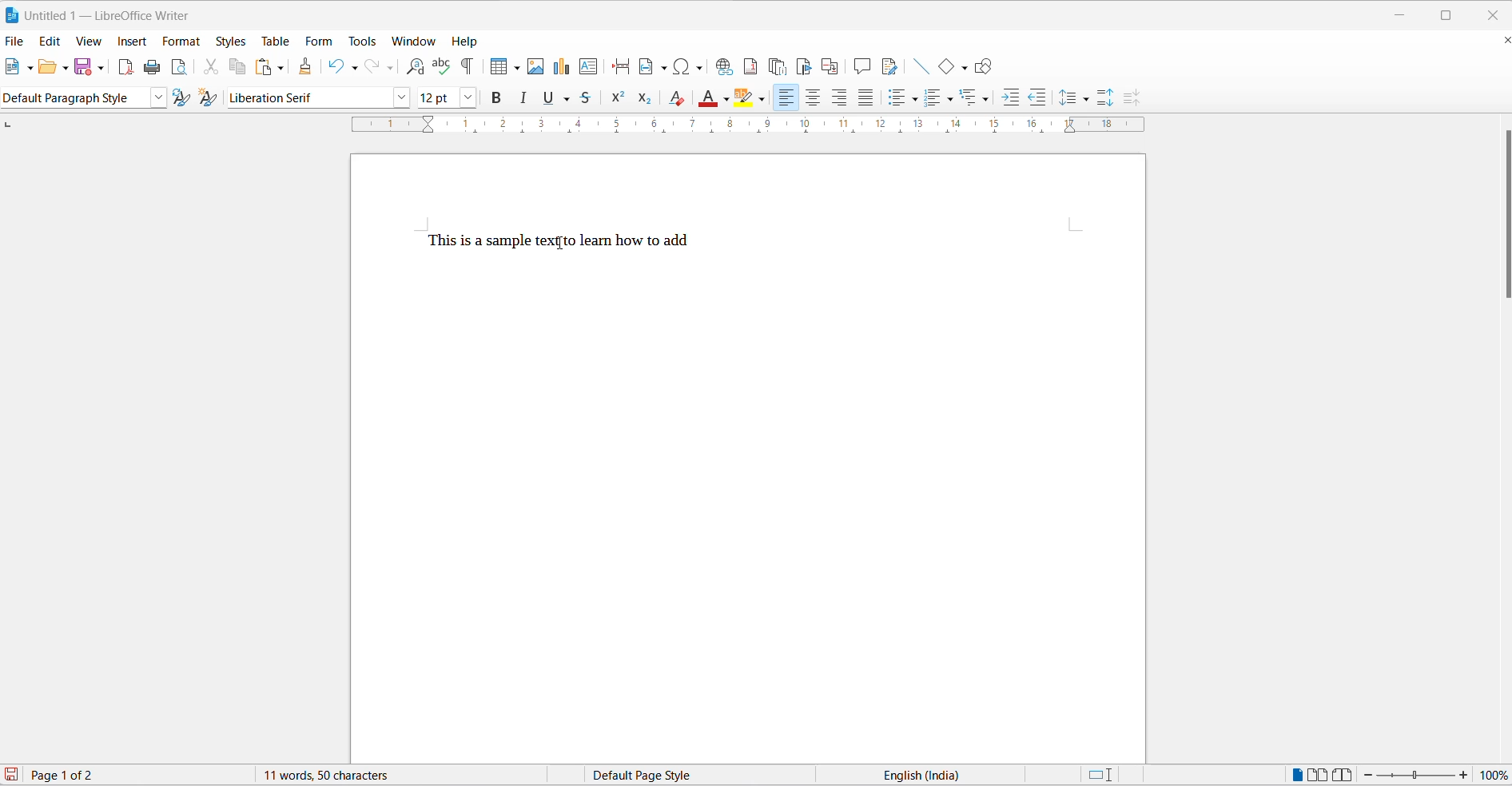 Image resolution: width=1512 pixels, height=786 pixels. What do you see at coordinates (14, 67) in the screenshot?
I see `new` at bounding box center [14, 67].